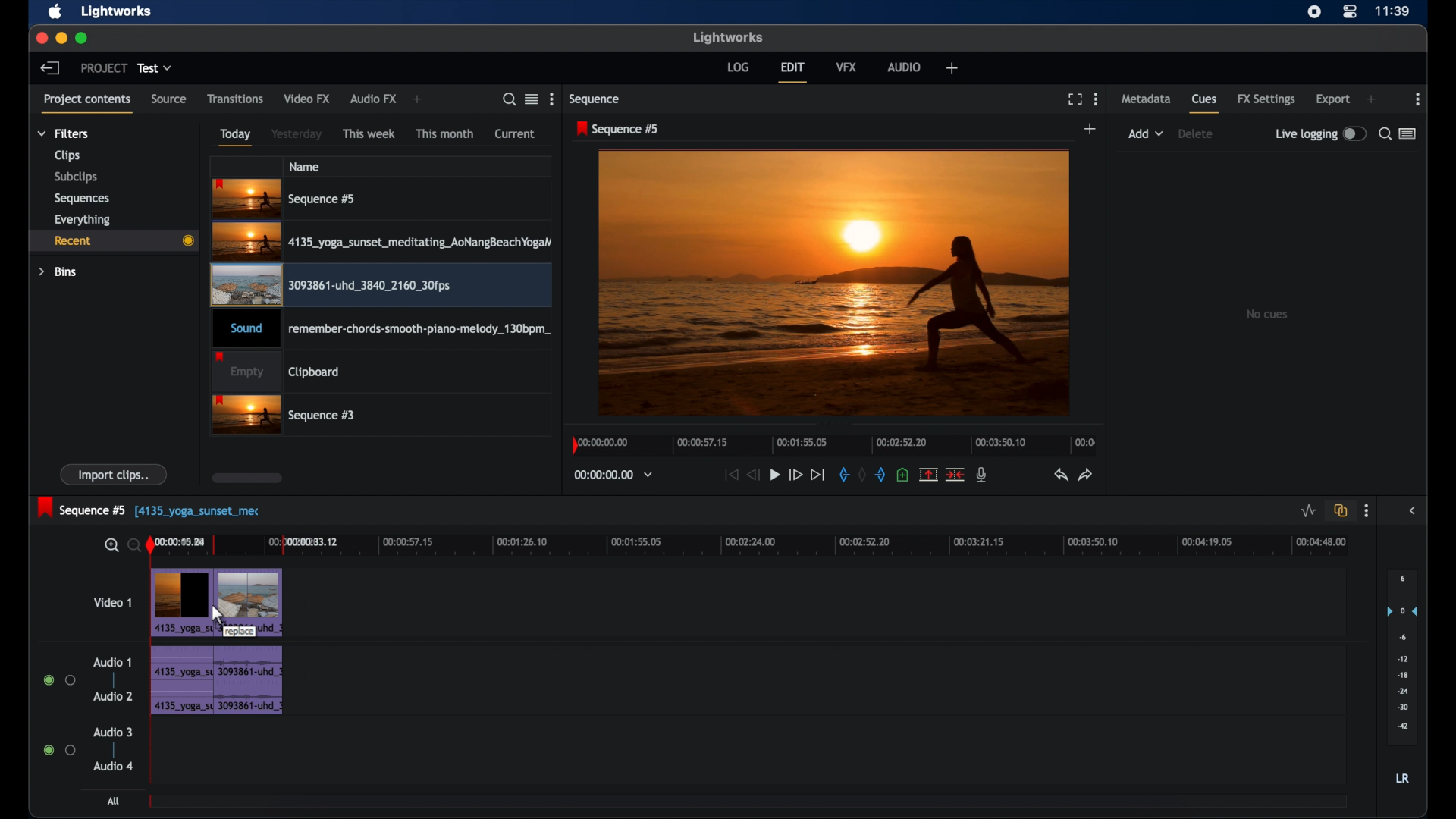  What do you see at coordinates (1307, 511) in the screenshot?
I see `toggle audio levels editing` at bounding box center [1307, 511].